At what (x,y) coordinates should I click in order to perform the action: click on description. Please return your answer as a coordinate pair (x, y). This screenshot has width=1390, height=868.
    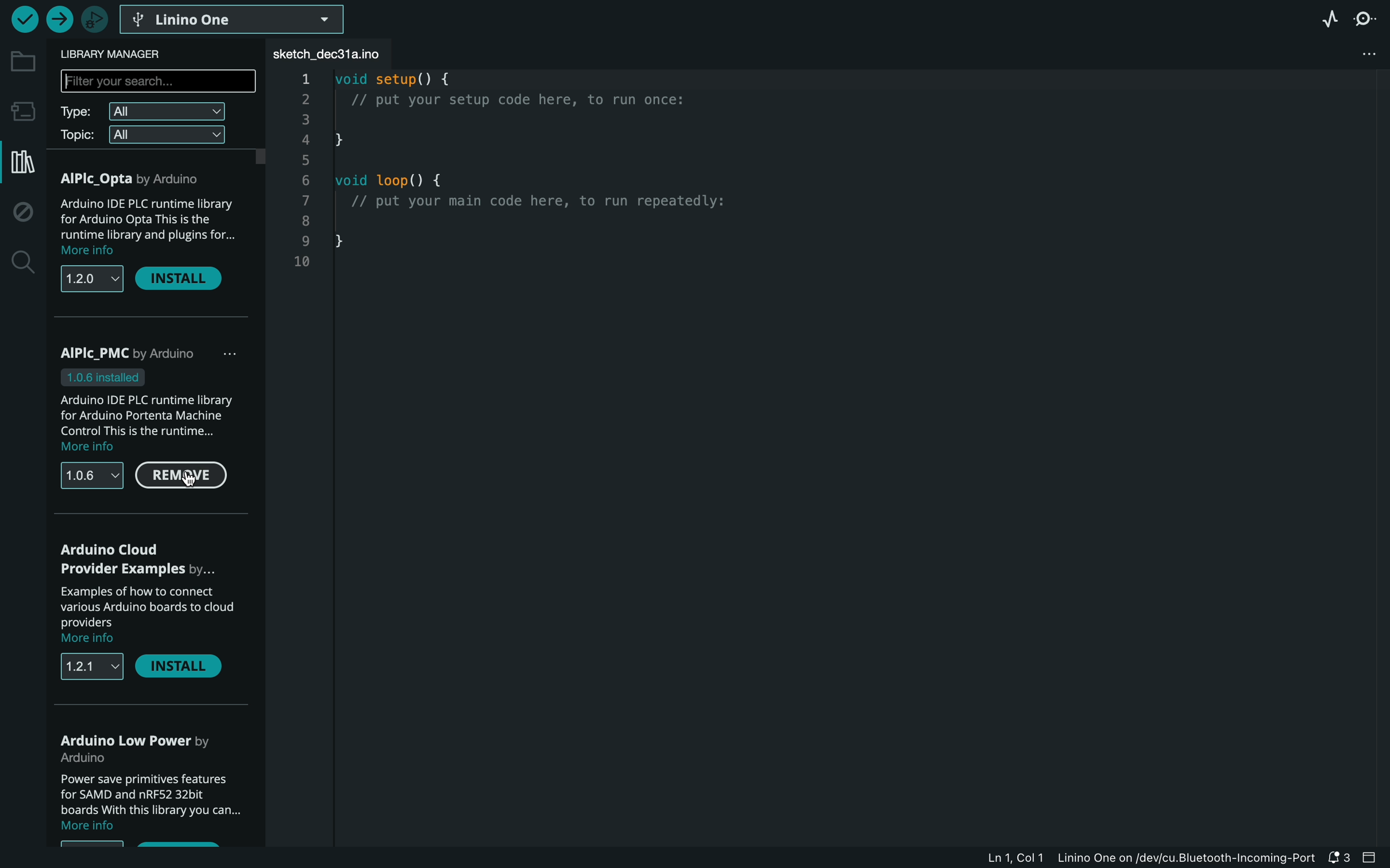
    Looking at the image, I should click on (144, 423).